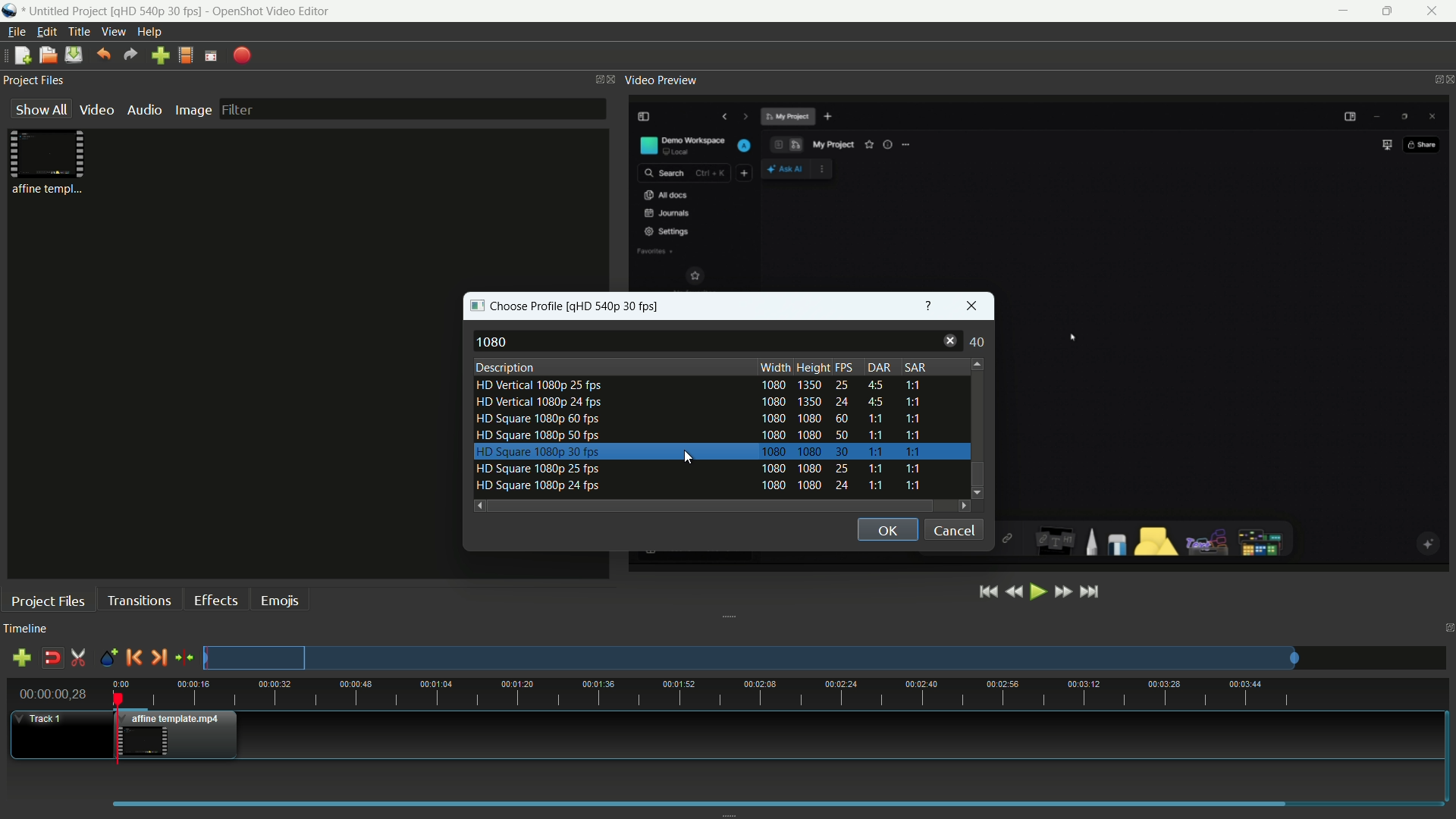 This screenshot has width=1456, height=819. What do you see at coordinates (695, 487) in the screenshot?
I see `profile-7` at bounding box center [695, 487].